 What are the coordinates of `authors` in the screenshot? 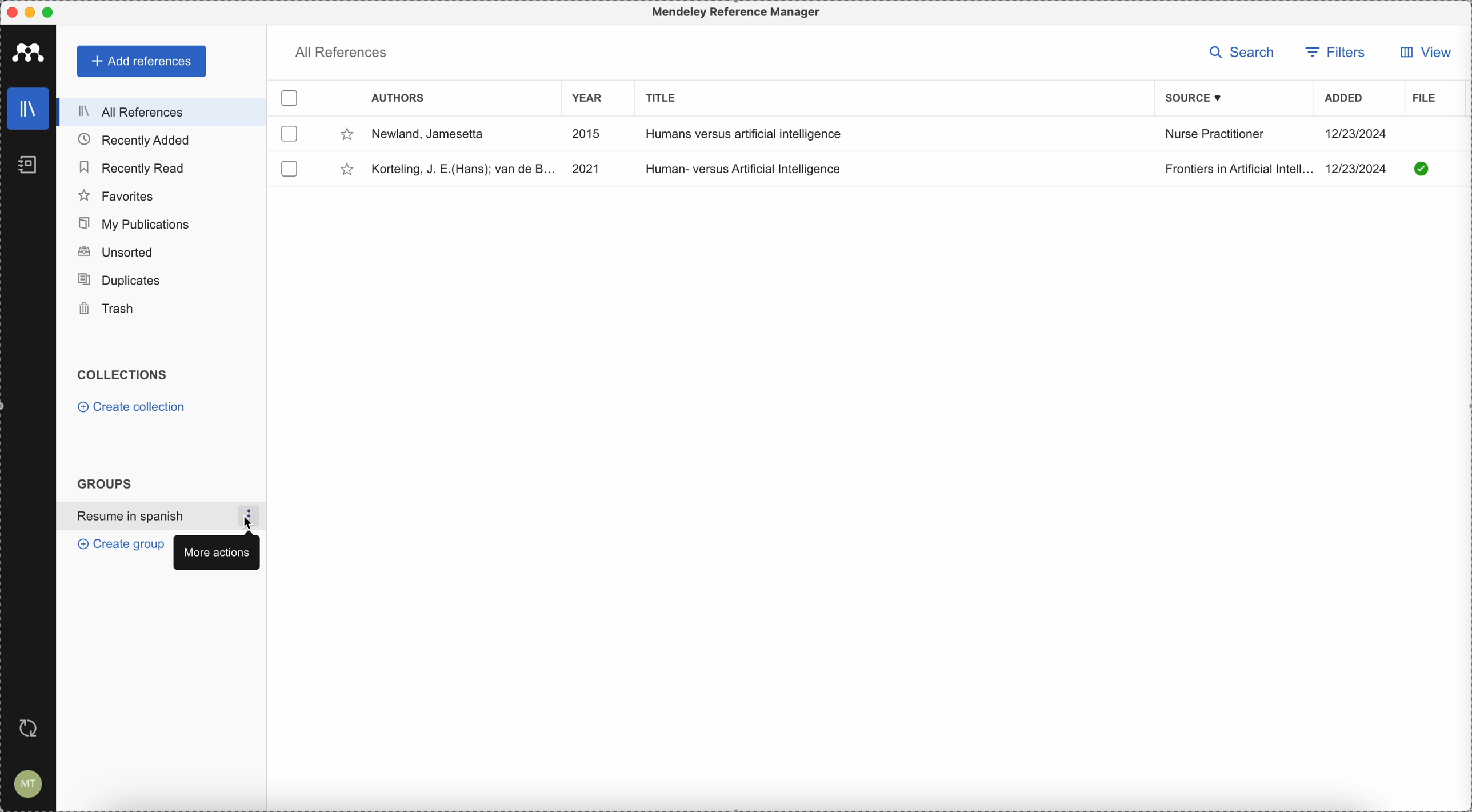 It's located at (397, 98).